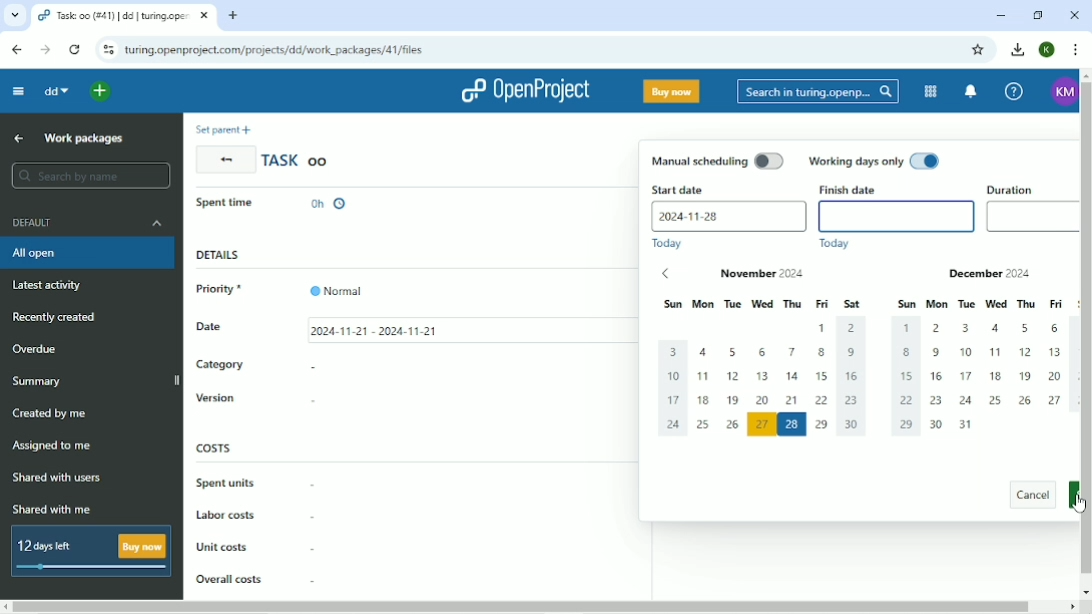 The image size is (1092, 614). Describe the element at coordinates (224, 160) in the screenshot. I see `Back` at that location.